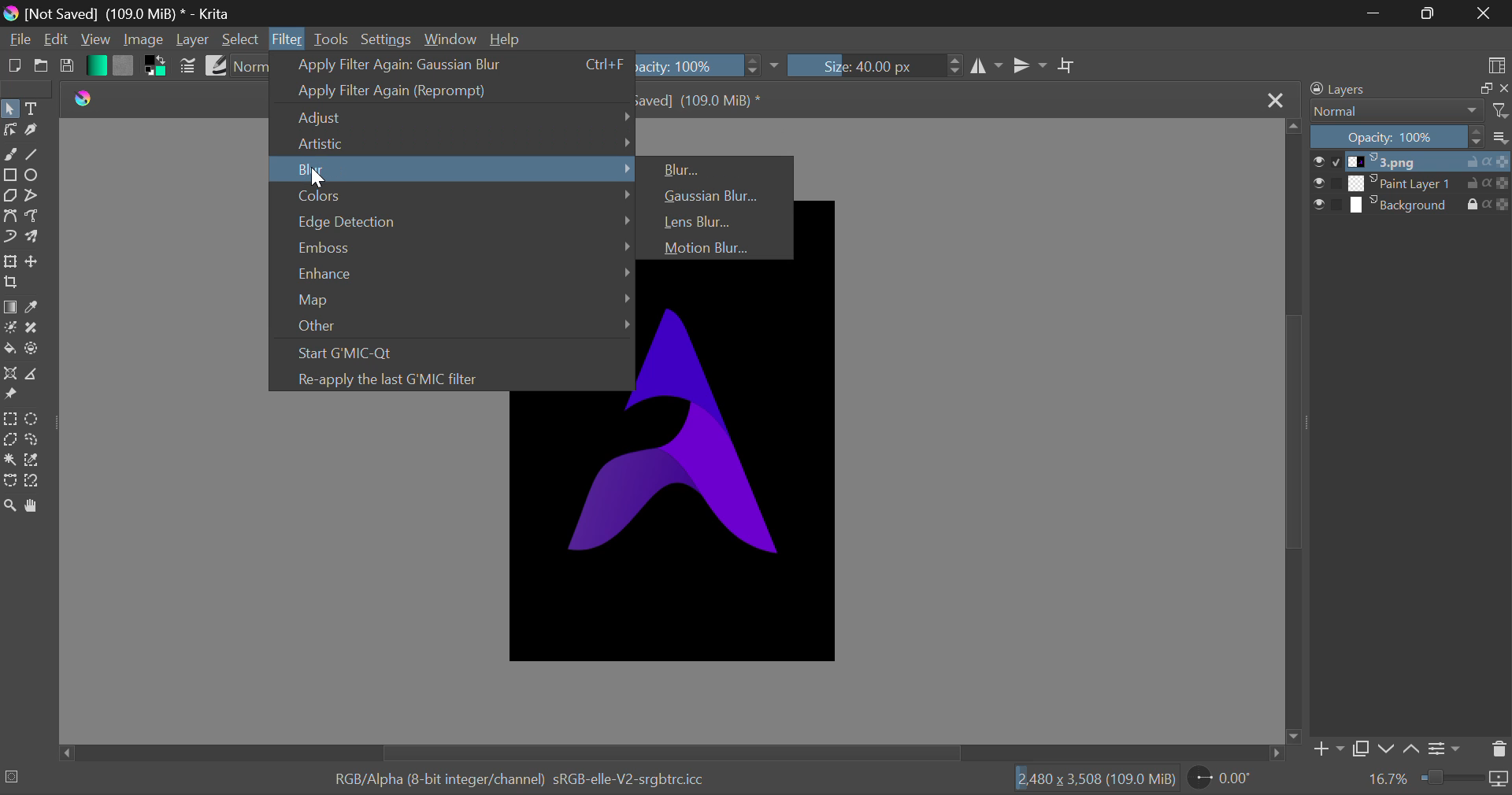 The image size is (1512, 795). I want to click on 2,480 x 3,508 (109.0 MiB), so click(1098, 780).